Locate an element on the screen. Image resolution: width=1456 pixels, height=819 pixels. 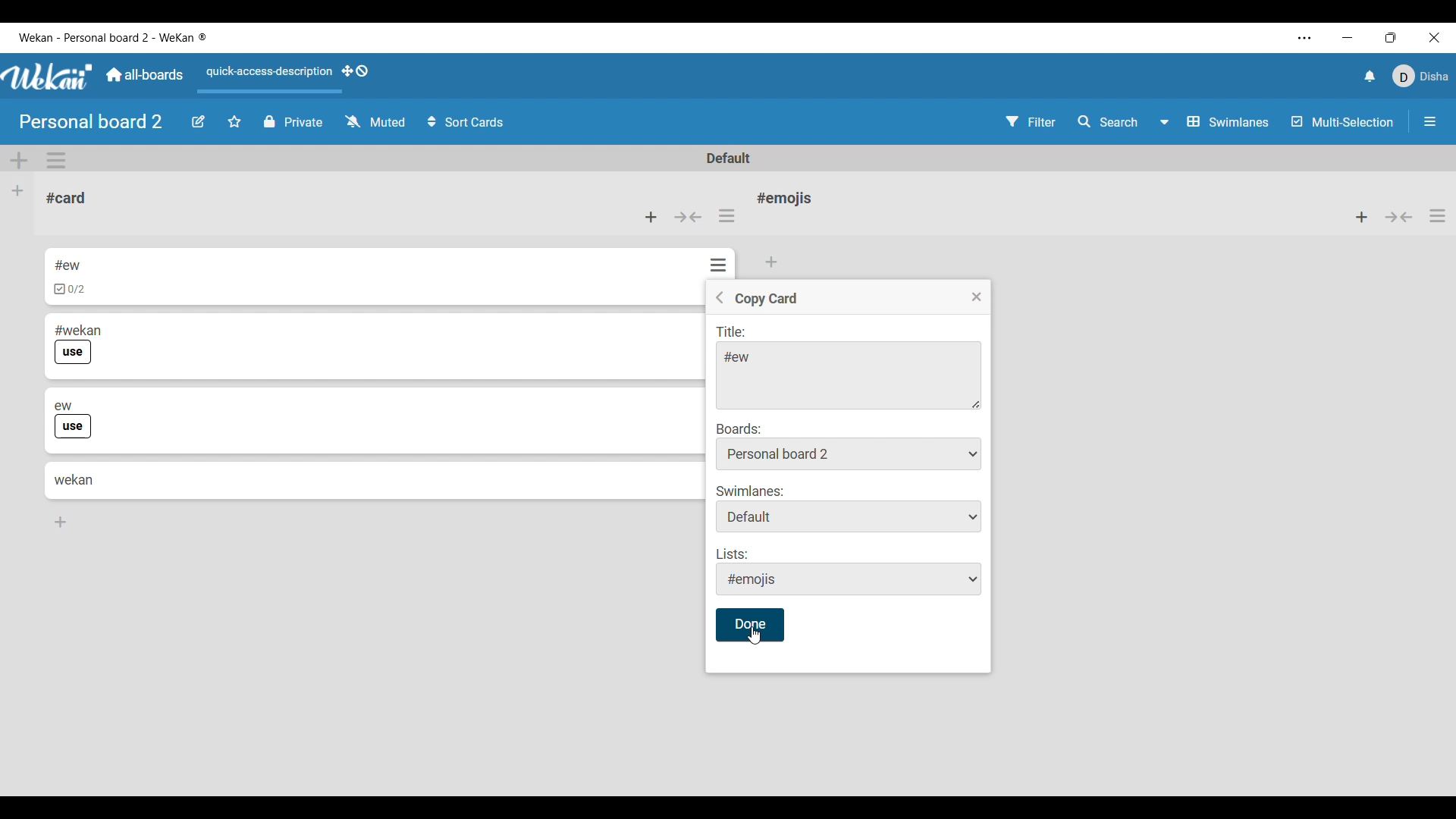
Software logo is located at coordinates (49, 76).